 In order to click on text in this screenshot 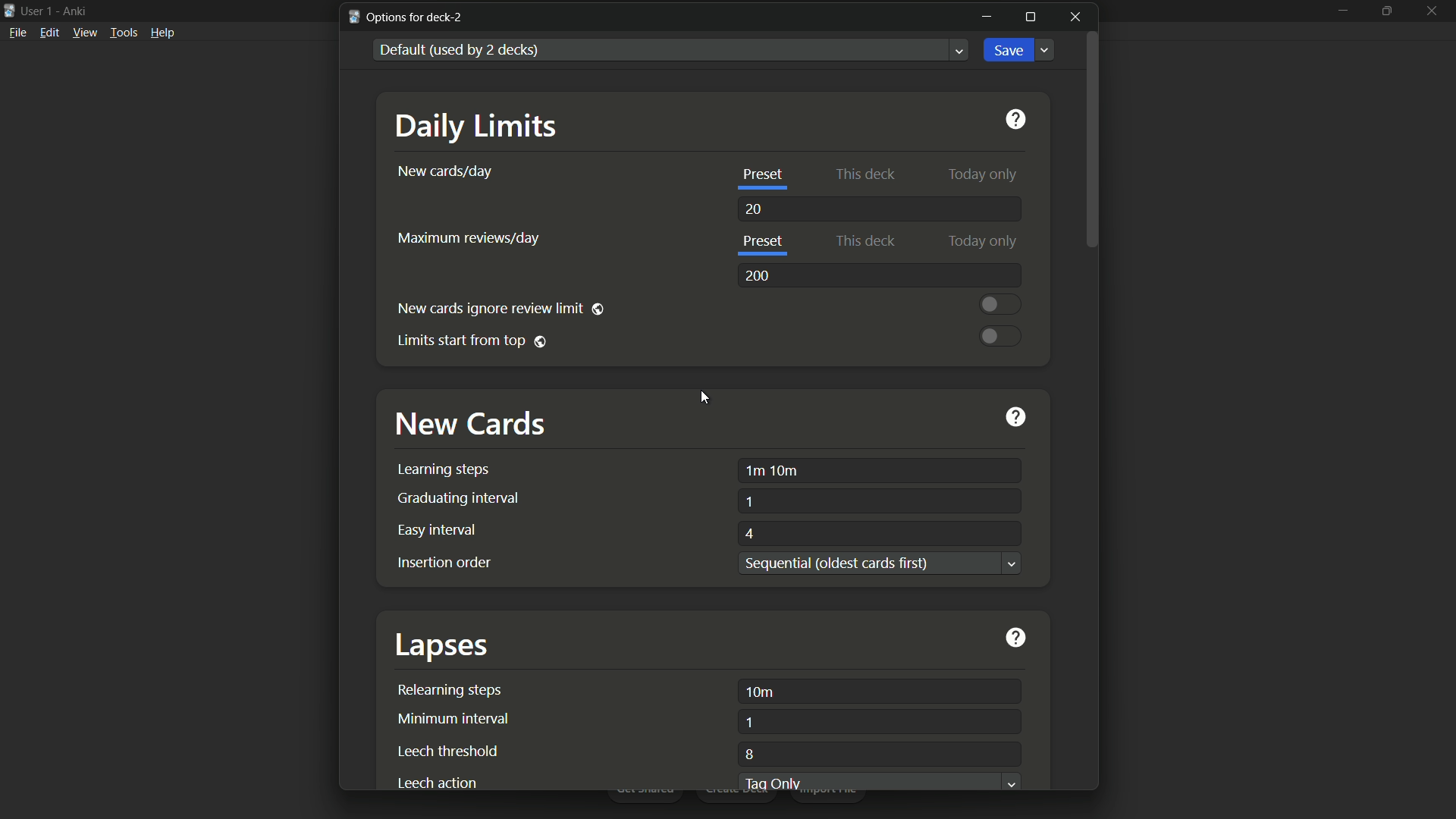, I will do `click(862, 564)`.